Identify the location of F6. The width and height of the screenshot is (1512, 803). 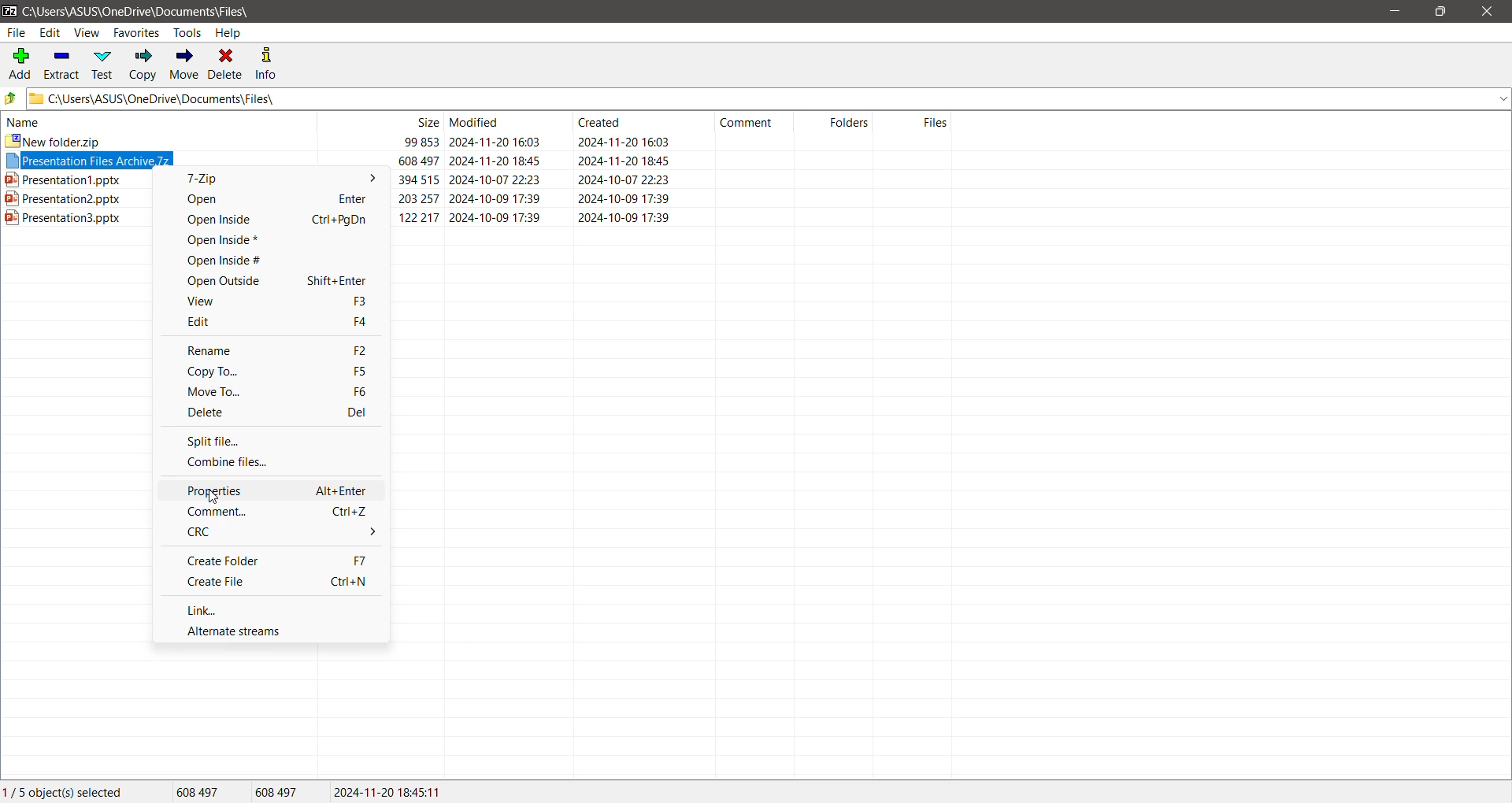
(352, 390).